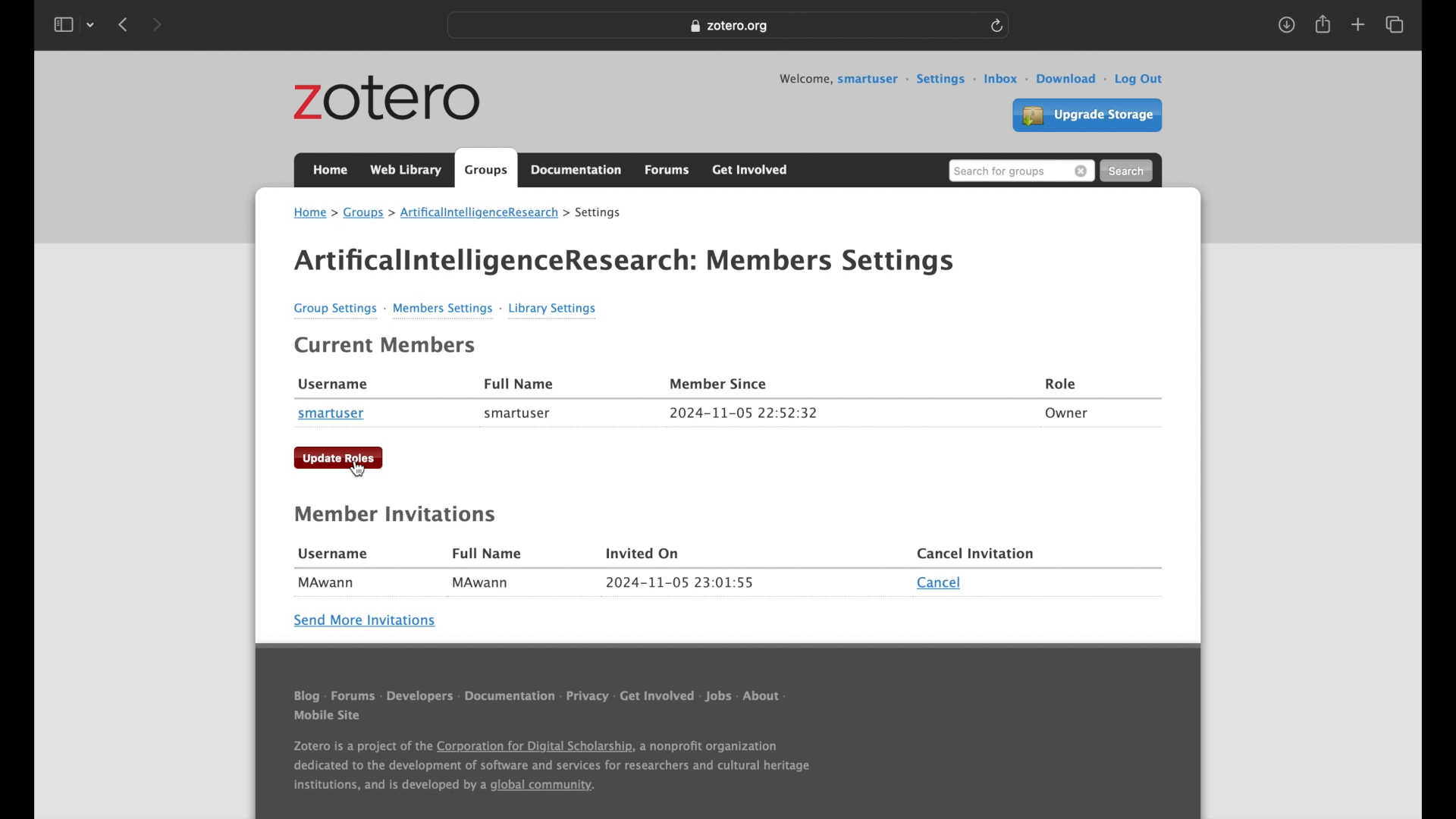 Image resolution: width=1456 pixels, height=819 pixels. I want to click on cancel invitation, so click(975, 554).